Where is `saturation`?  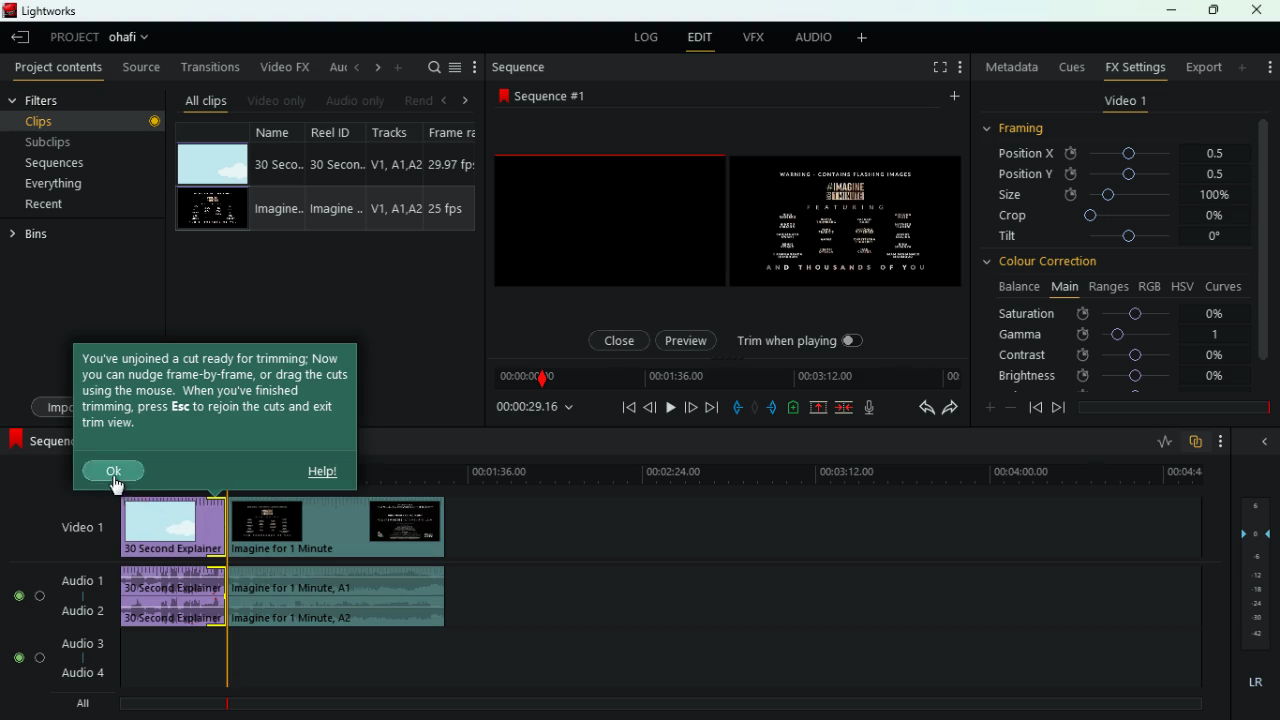
saturation is located at coordinates (1116, 313).